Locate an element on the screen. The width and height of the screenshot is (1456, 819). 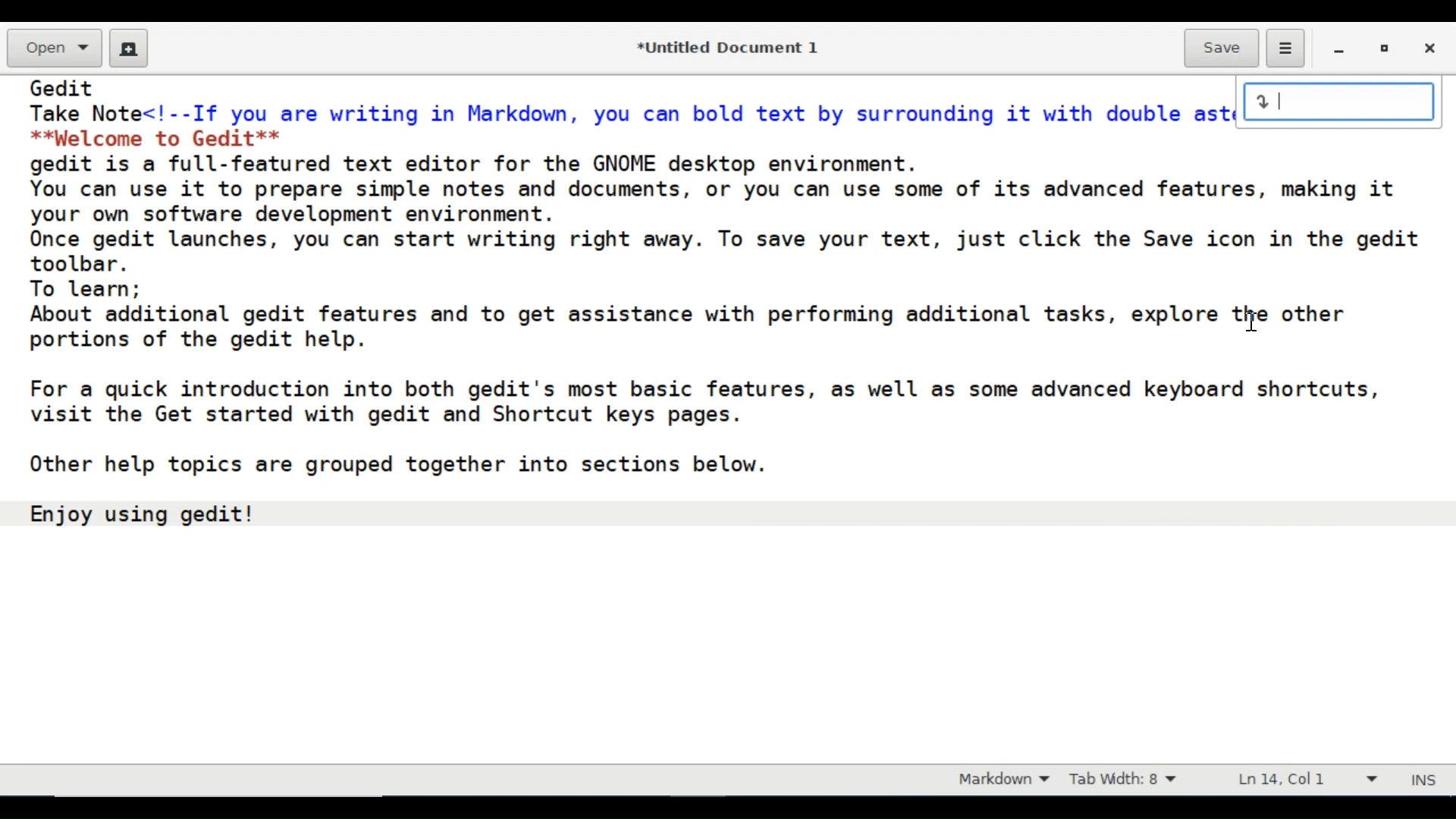
To learn; is located at coordinates (86, 288).